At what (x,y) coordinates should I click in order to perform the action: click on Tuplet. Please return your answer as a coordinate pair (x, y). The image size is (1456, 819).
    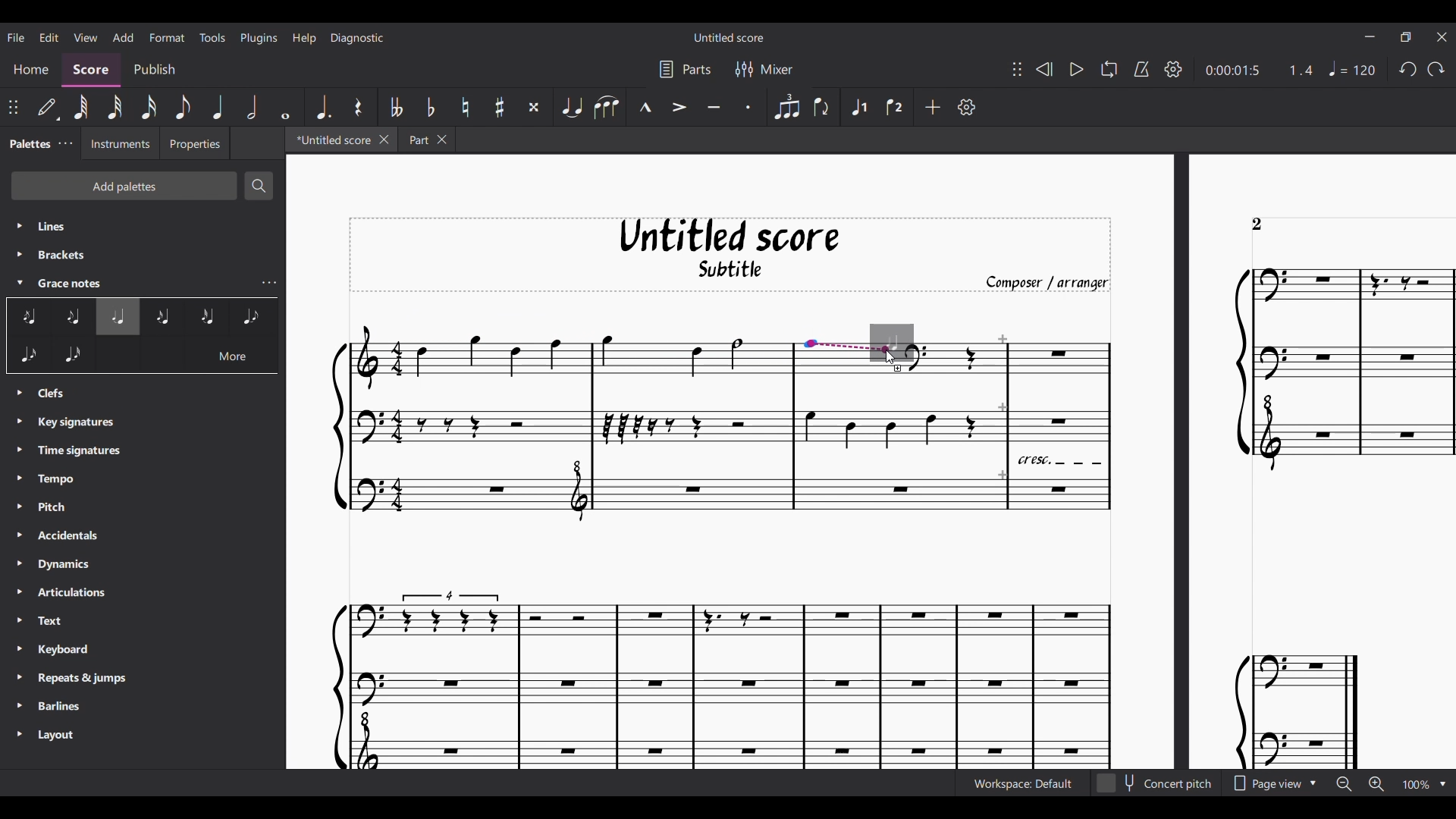
    Looking at the image, I should click on (786, 107).